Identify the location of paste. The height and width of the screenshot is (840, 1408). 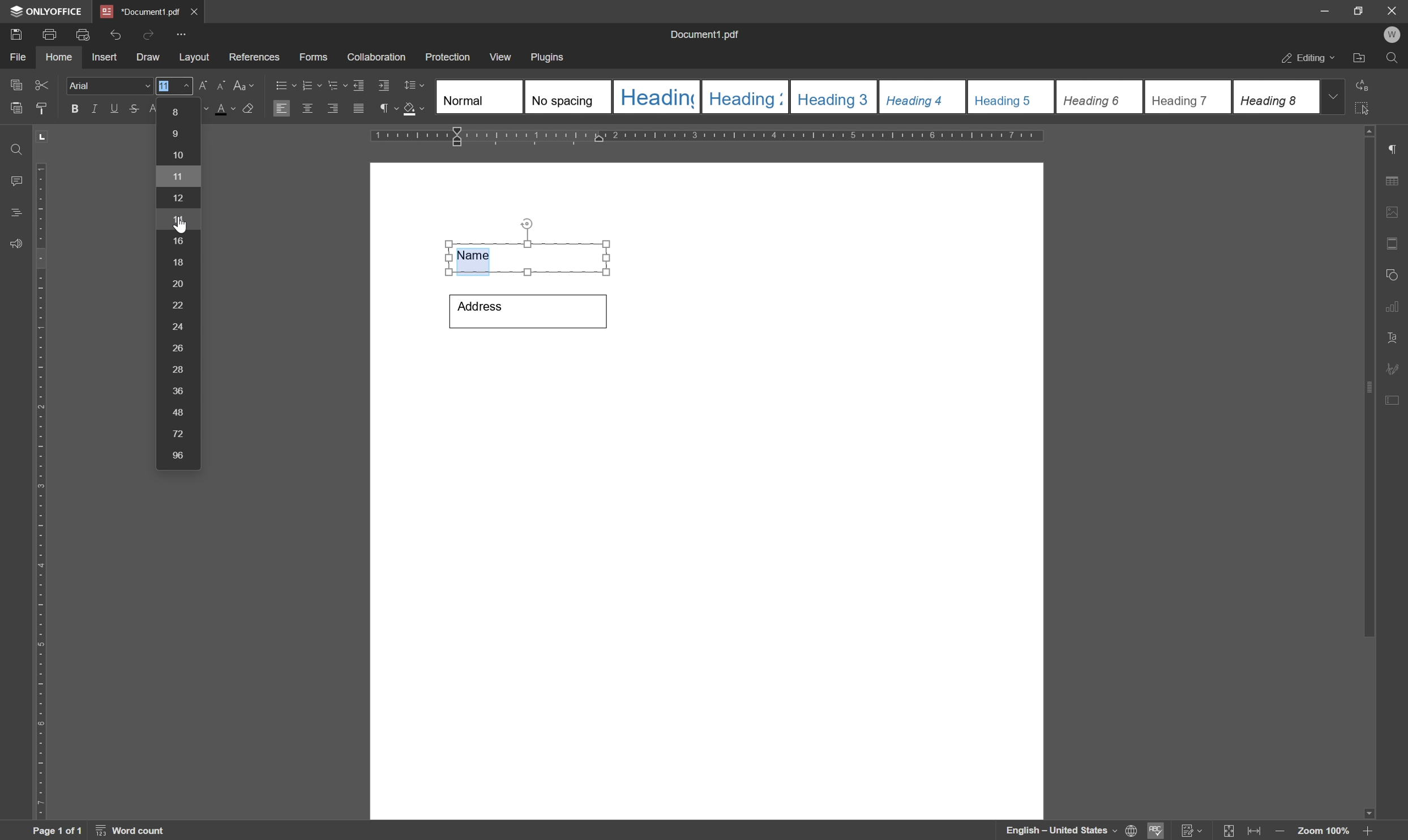
(17, 109).